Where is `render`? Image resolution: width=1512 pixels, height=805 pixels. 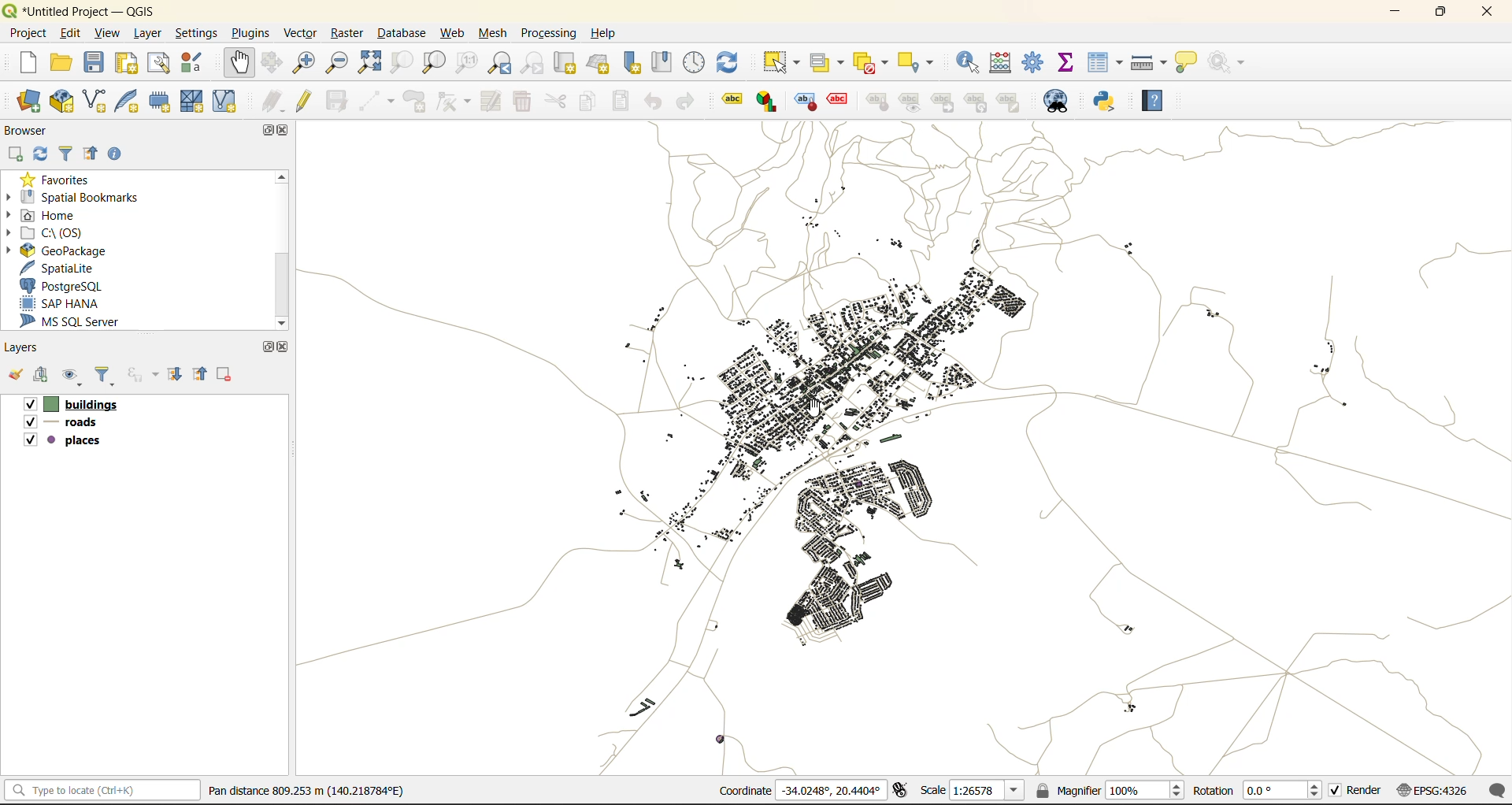
render is located at coordinates (1357, 792).